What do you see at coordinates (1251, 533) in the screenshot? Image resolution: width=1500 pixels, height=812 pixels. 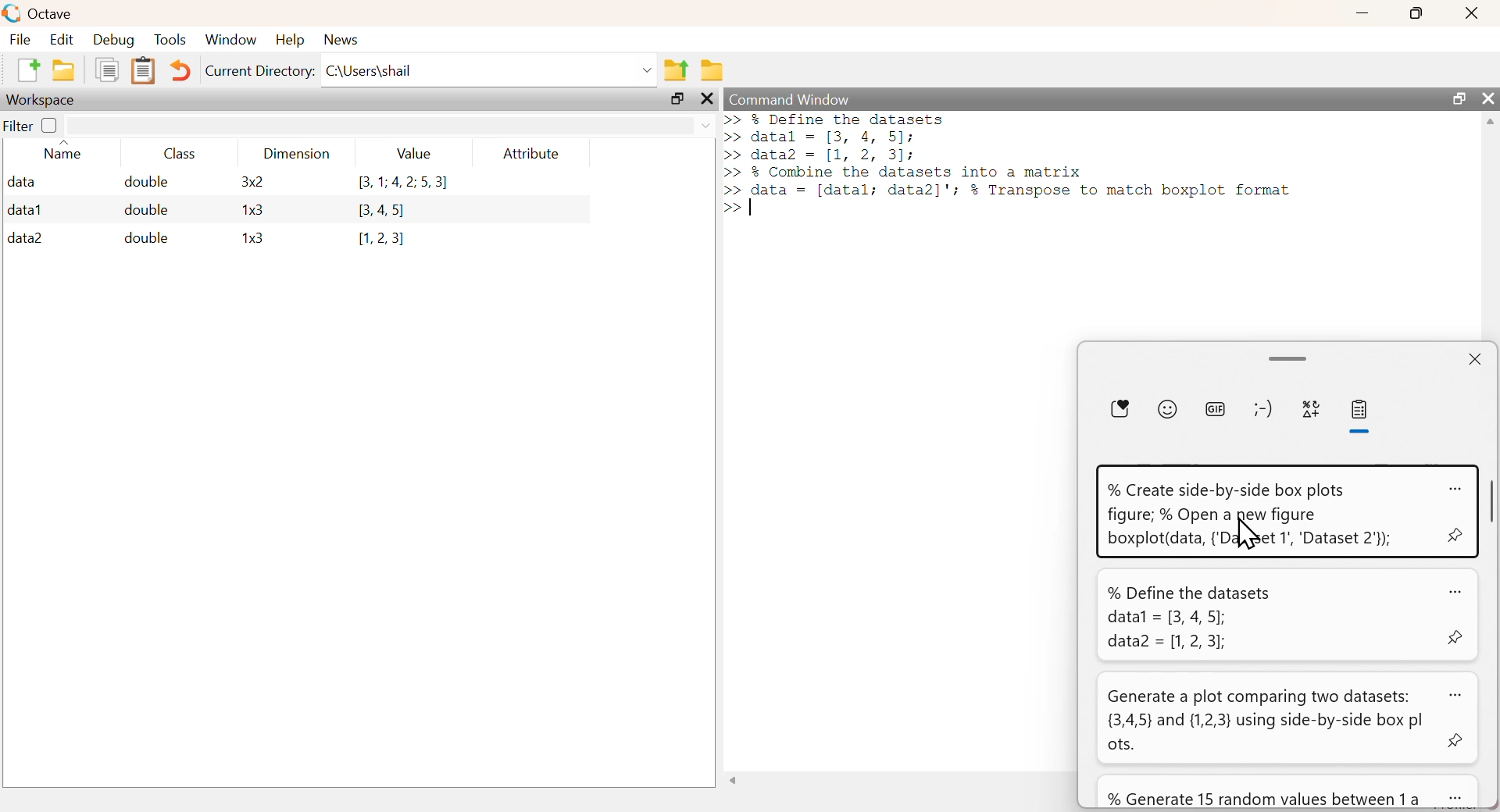 I see `cursor` at bounding box center [1251, 533].